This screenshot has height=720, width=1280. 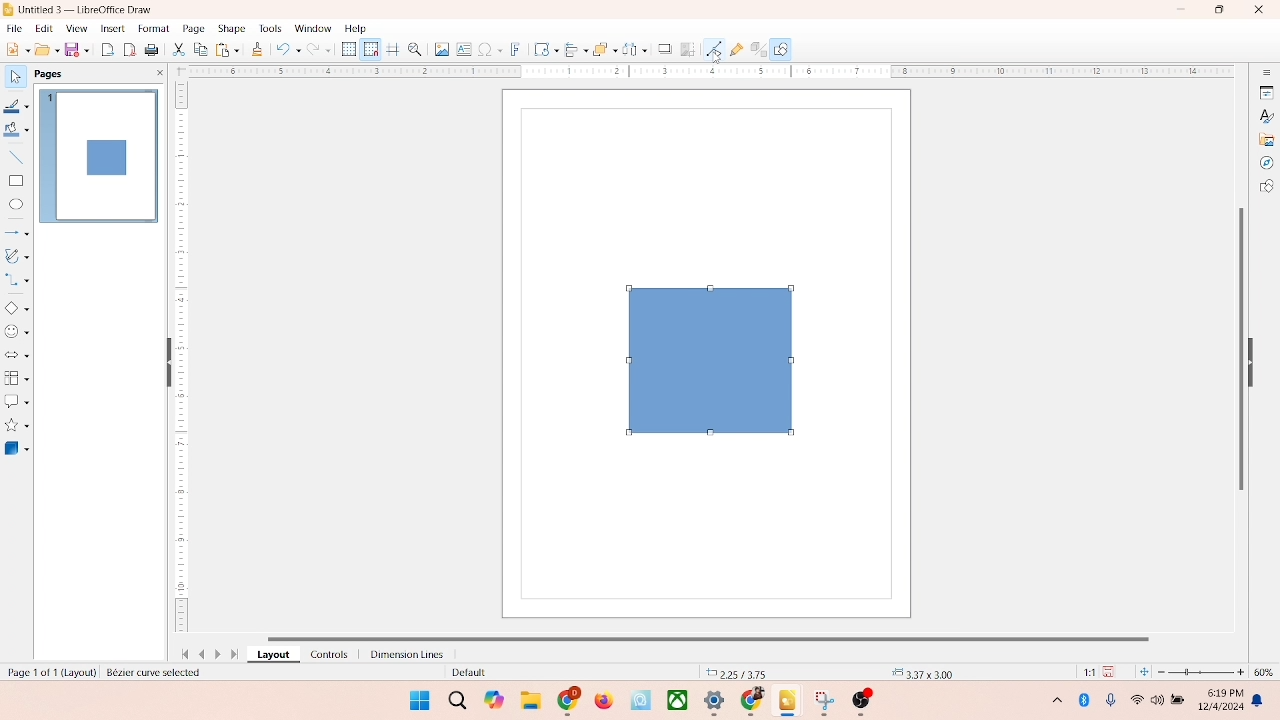 I want to click on coordinates, so click(x=737, y=671).